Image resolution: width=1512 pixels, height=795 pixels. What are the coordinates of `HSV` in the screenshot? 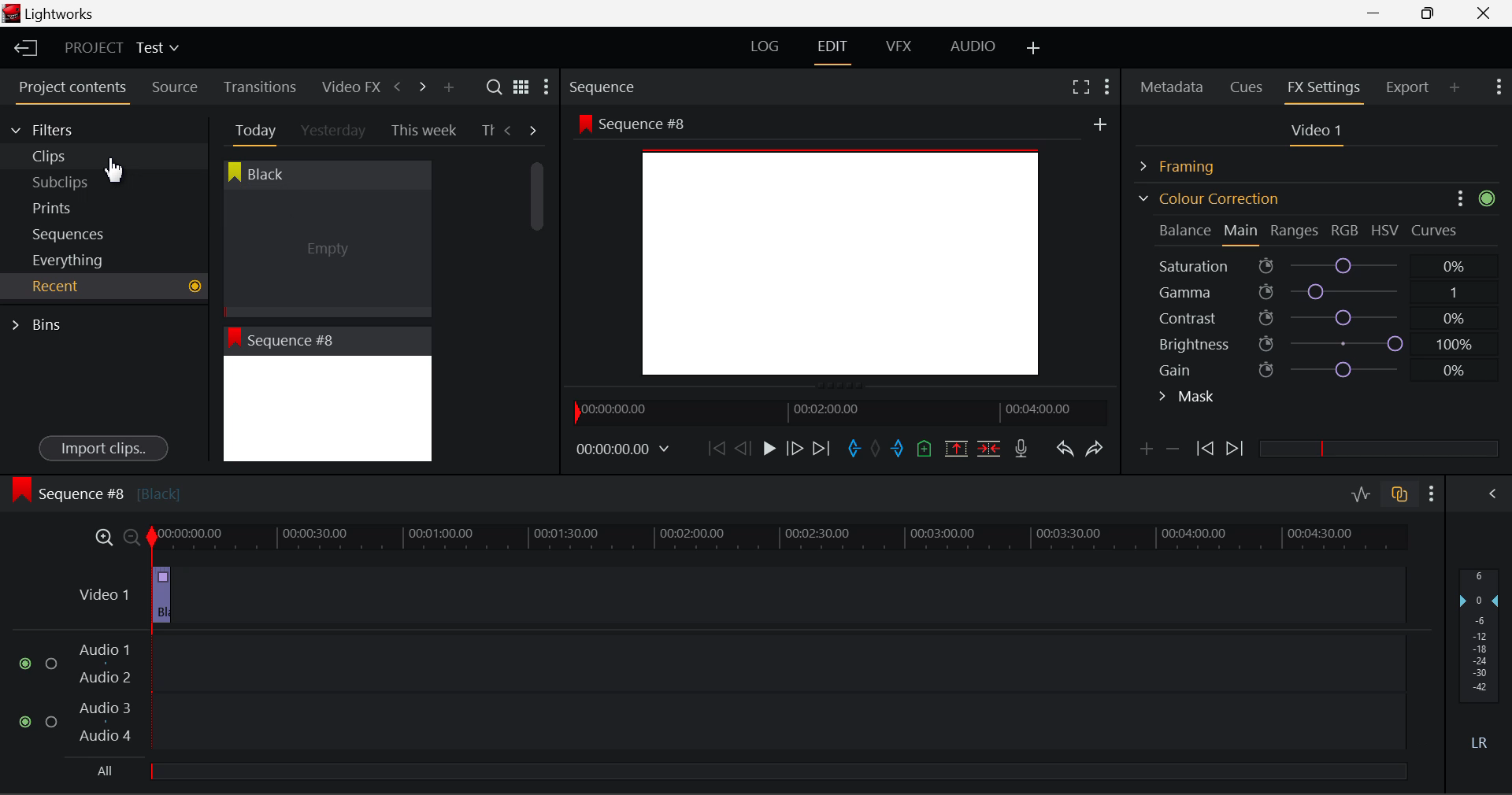 It's located at (1385, 230).